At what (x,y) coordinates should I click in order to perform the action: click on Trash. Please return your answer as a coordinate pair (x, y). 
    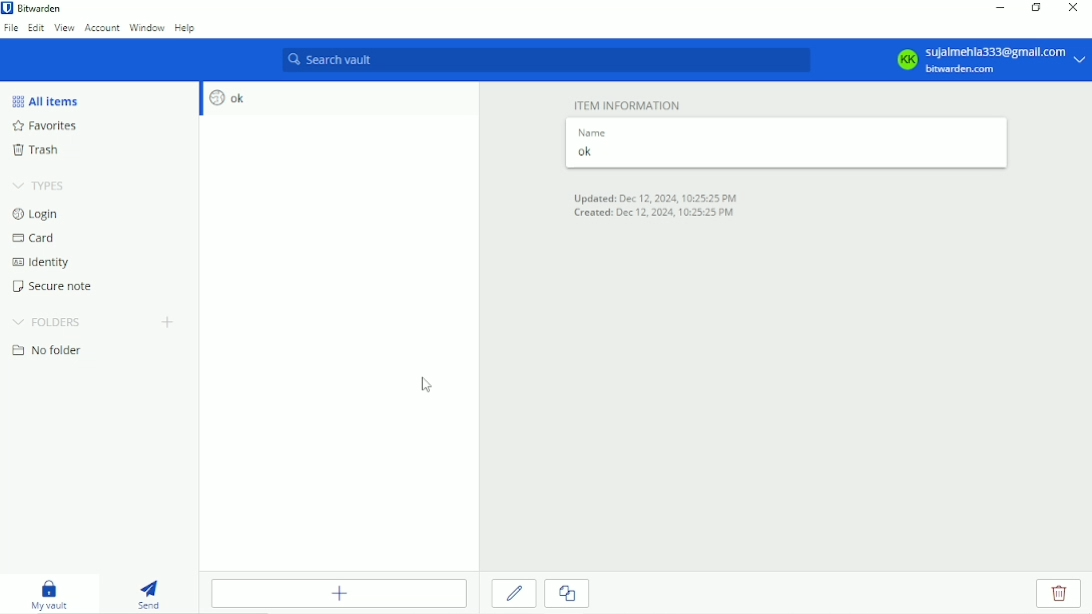
    Looking at the image, I should click on (47, 151).